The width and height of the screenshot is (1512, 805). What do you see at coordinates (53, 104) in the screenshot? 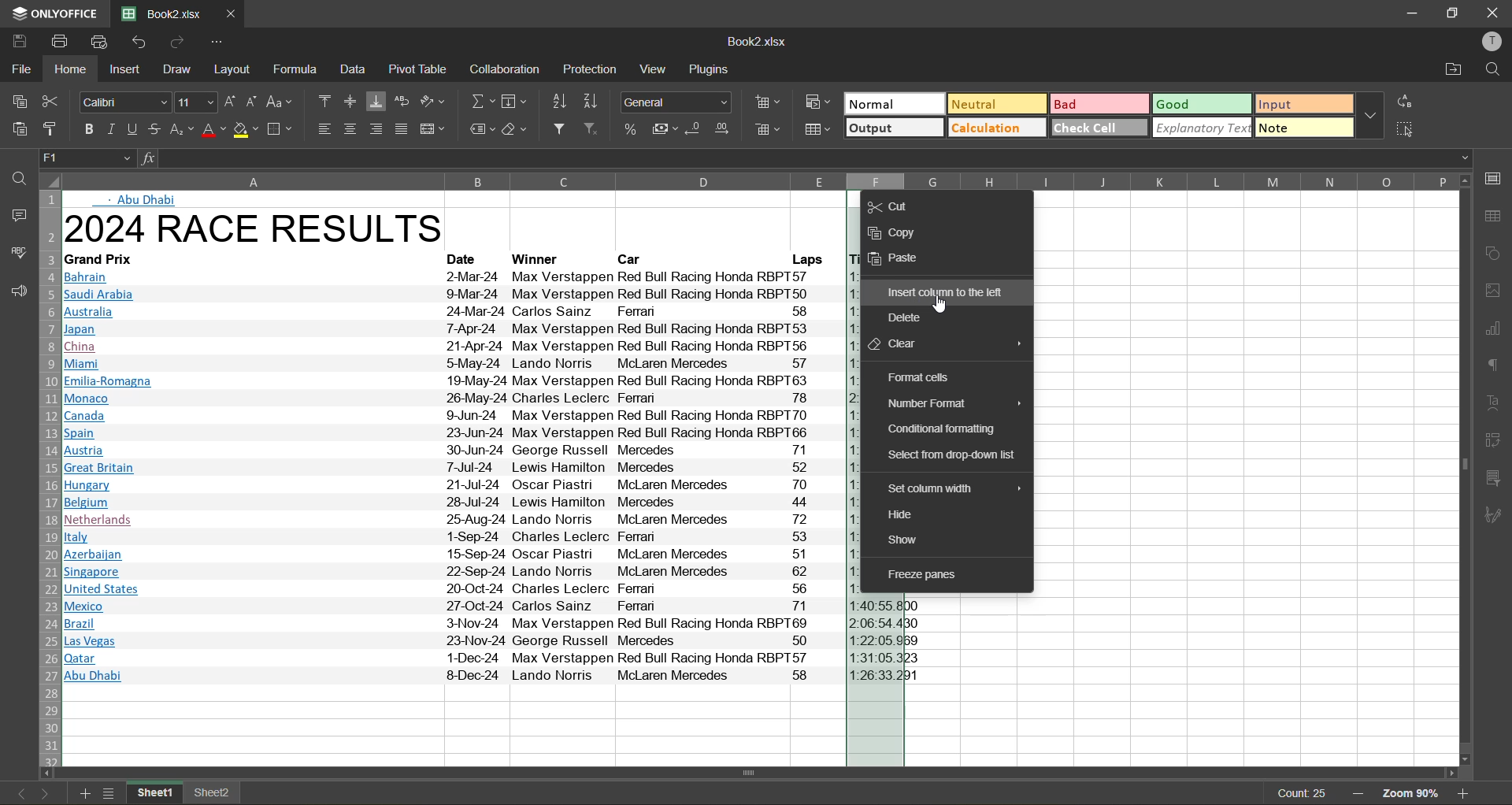
I see `cut` at bounding box center [53, 104].